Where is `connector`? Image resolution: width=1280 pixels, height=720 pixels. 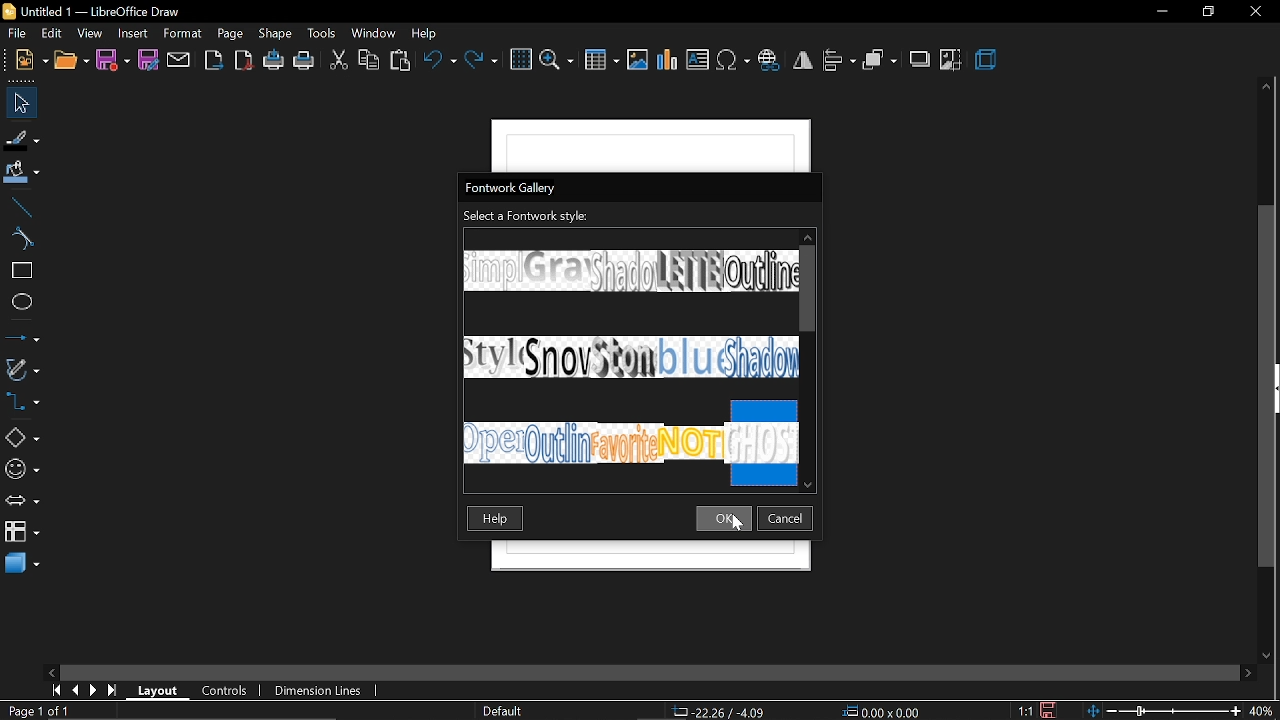 connector is located at coordinates (23, 402).